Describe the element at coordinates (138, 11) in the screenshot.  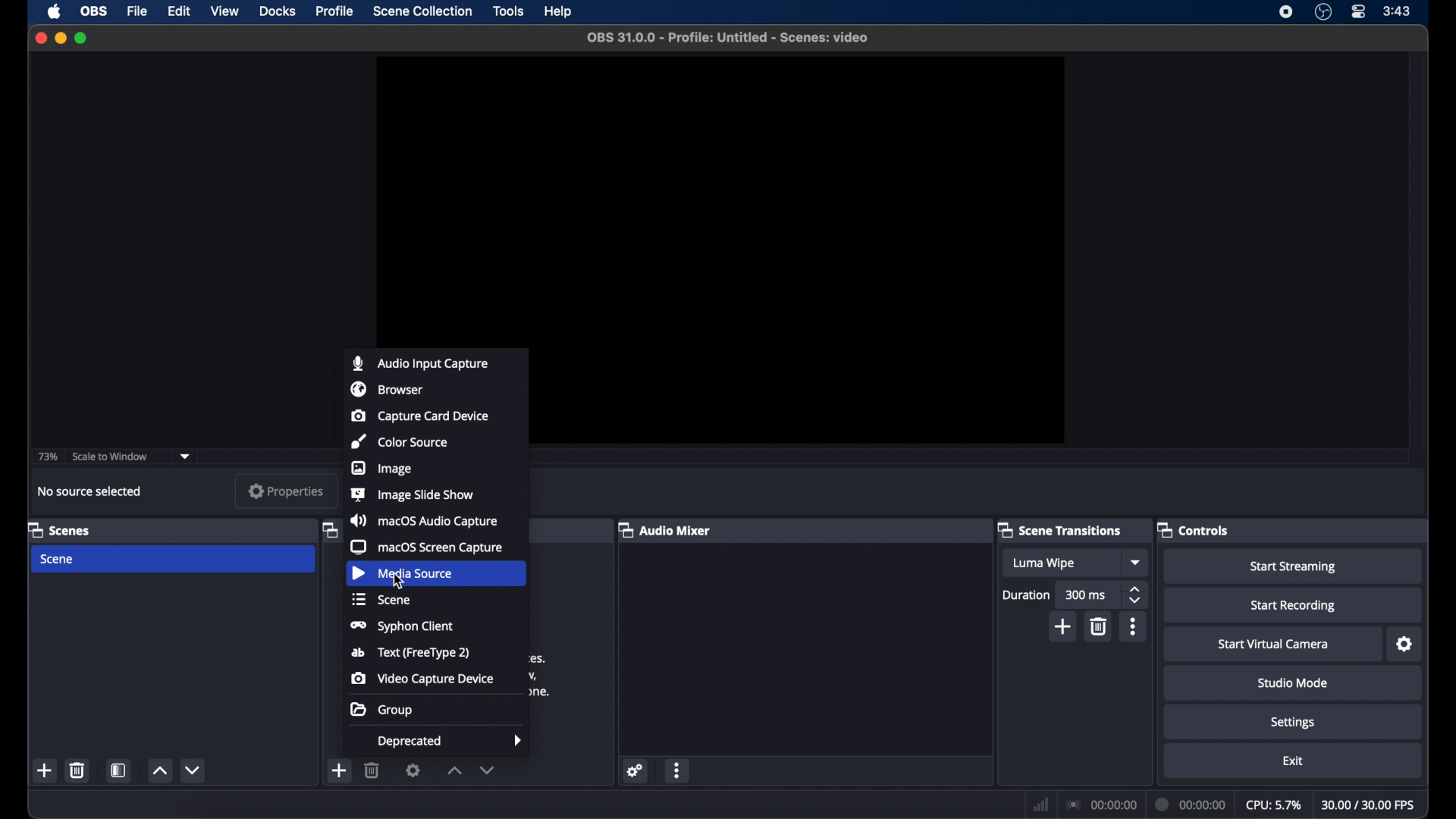
I see `file` at that location.